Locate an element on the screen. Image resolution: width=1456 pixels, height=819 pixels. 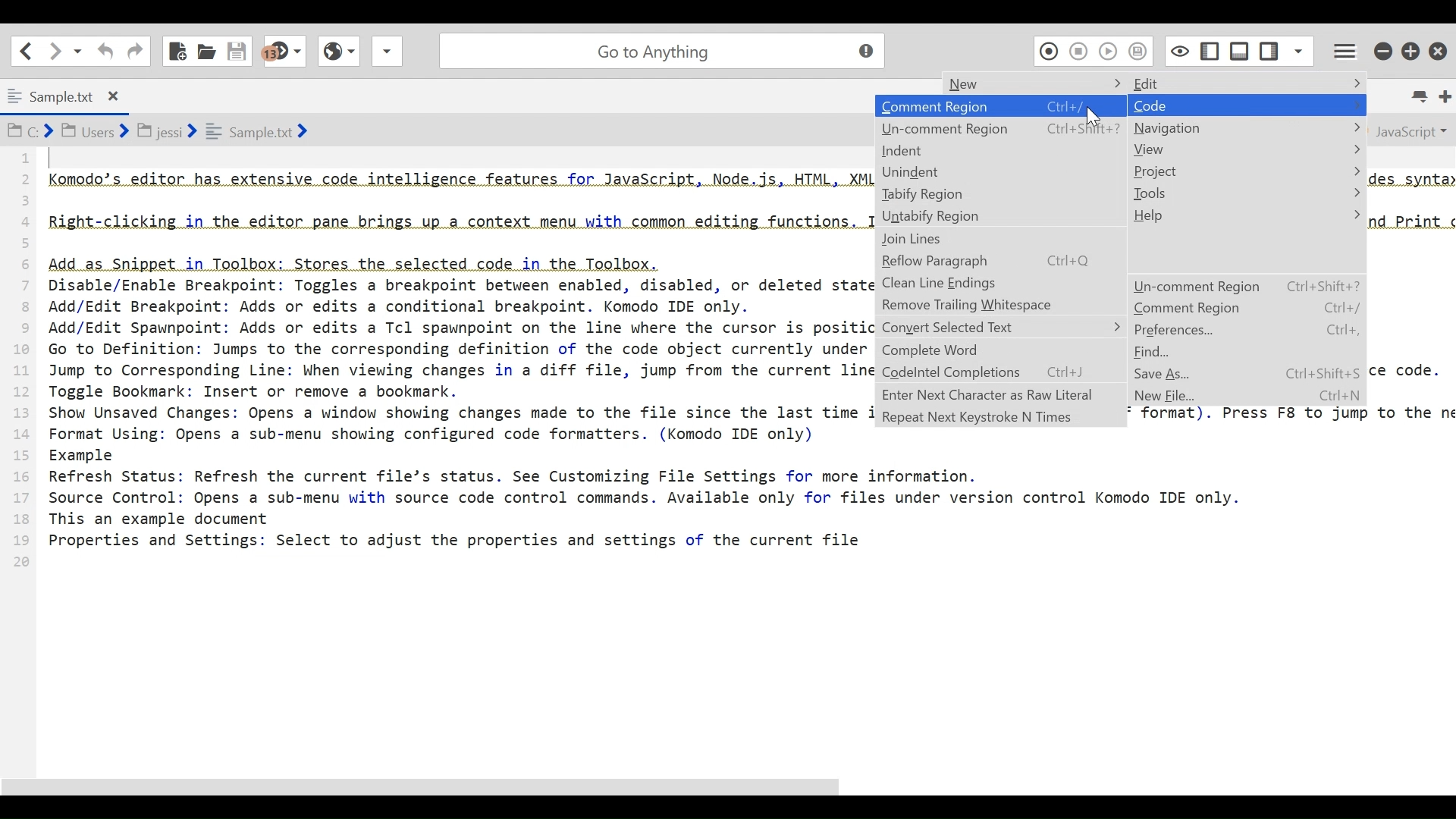
scroll bar is located at coordinates (476, 787).